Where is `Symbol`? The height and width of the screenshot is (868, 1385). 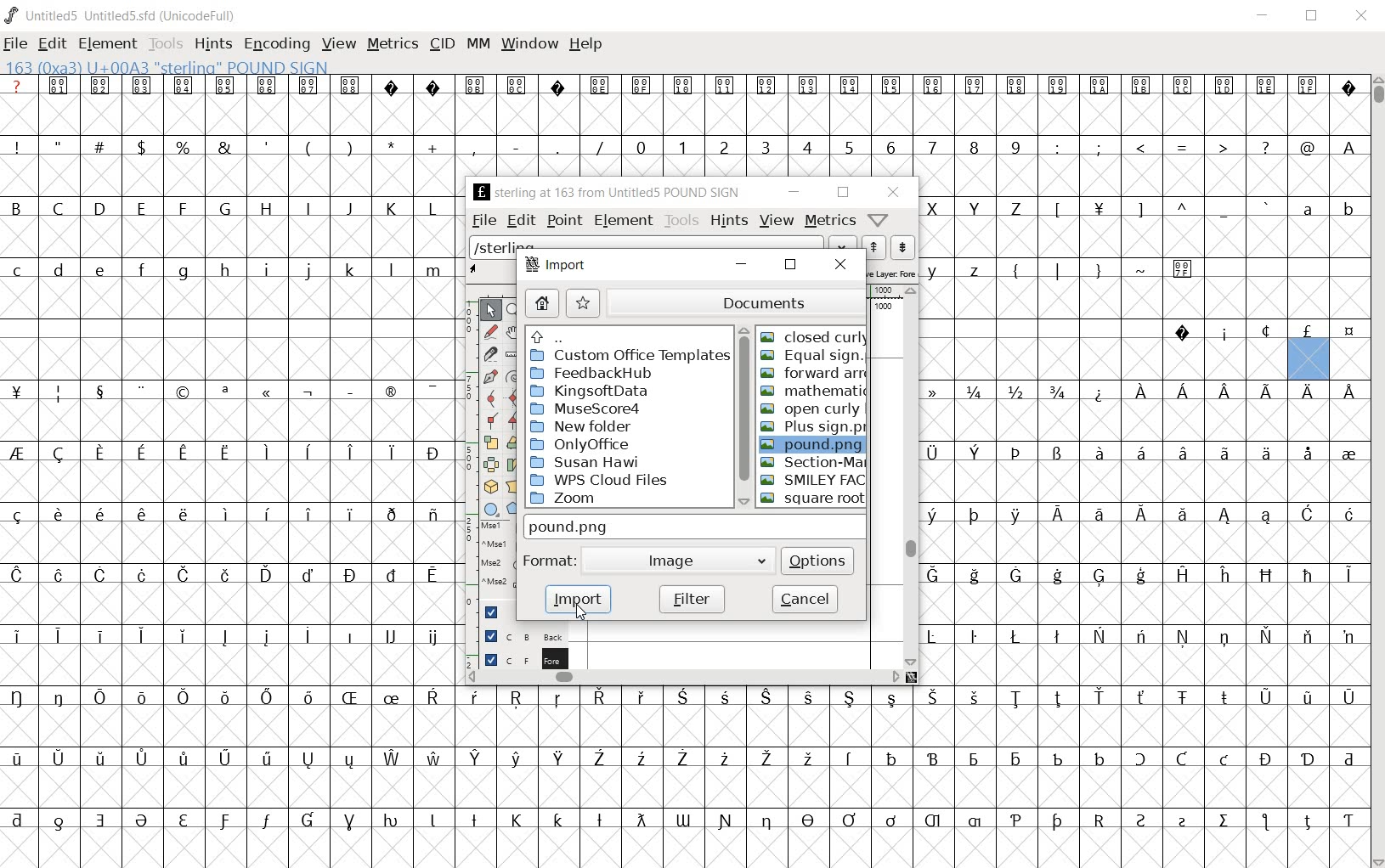 Symbol is located at coordinates (1348, 697).